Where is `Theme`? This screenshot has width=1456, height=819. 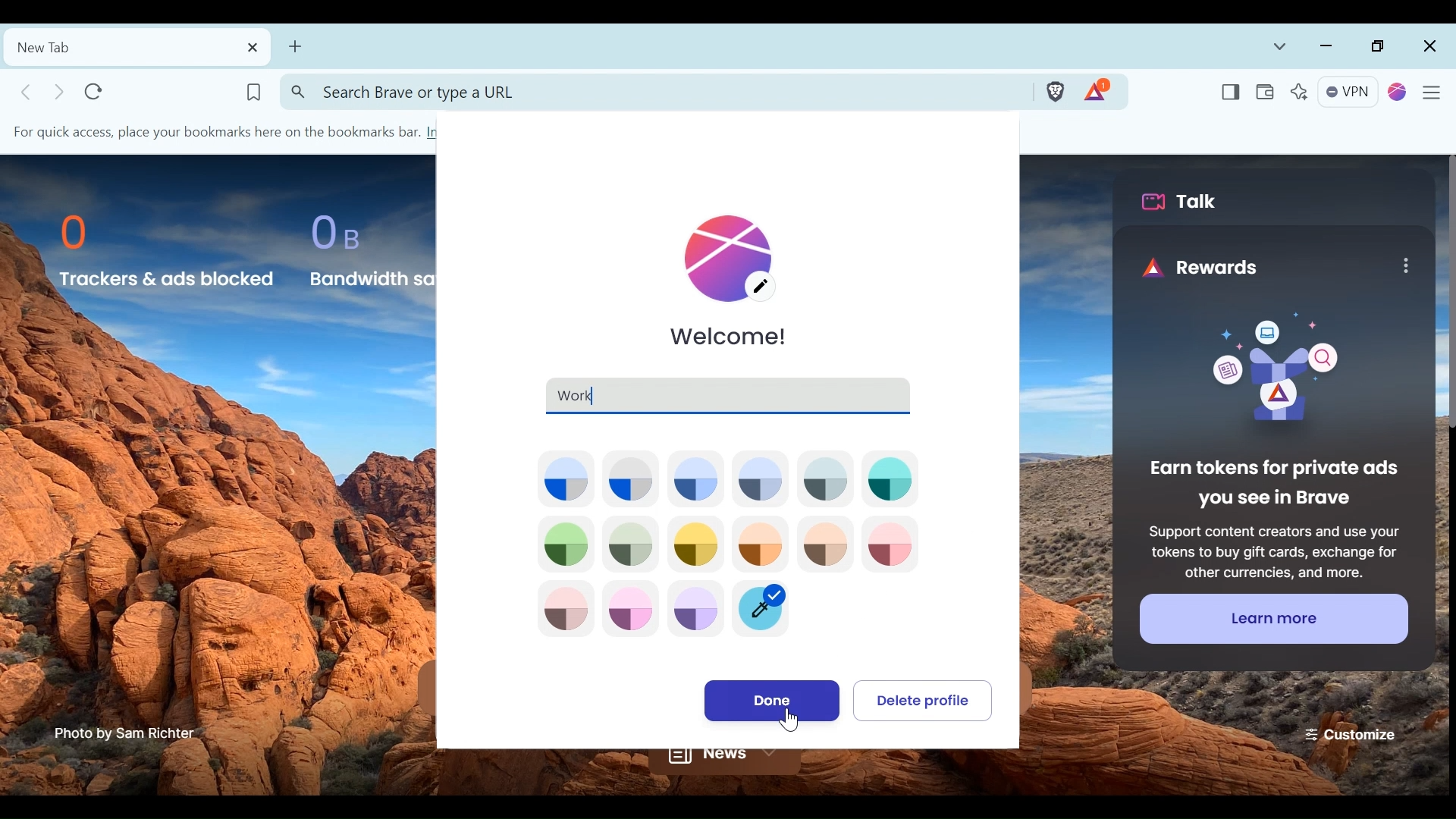 Theme is located at coordinates (565, 544).